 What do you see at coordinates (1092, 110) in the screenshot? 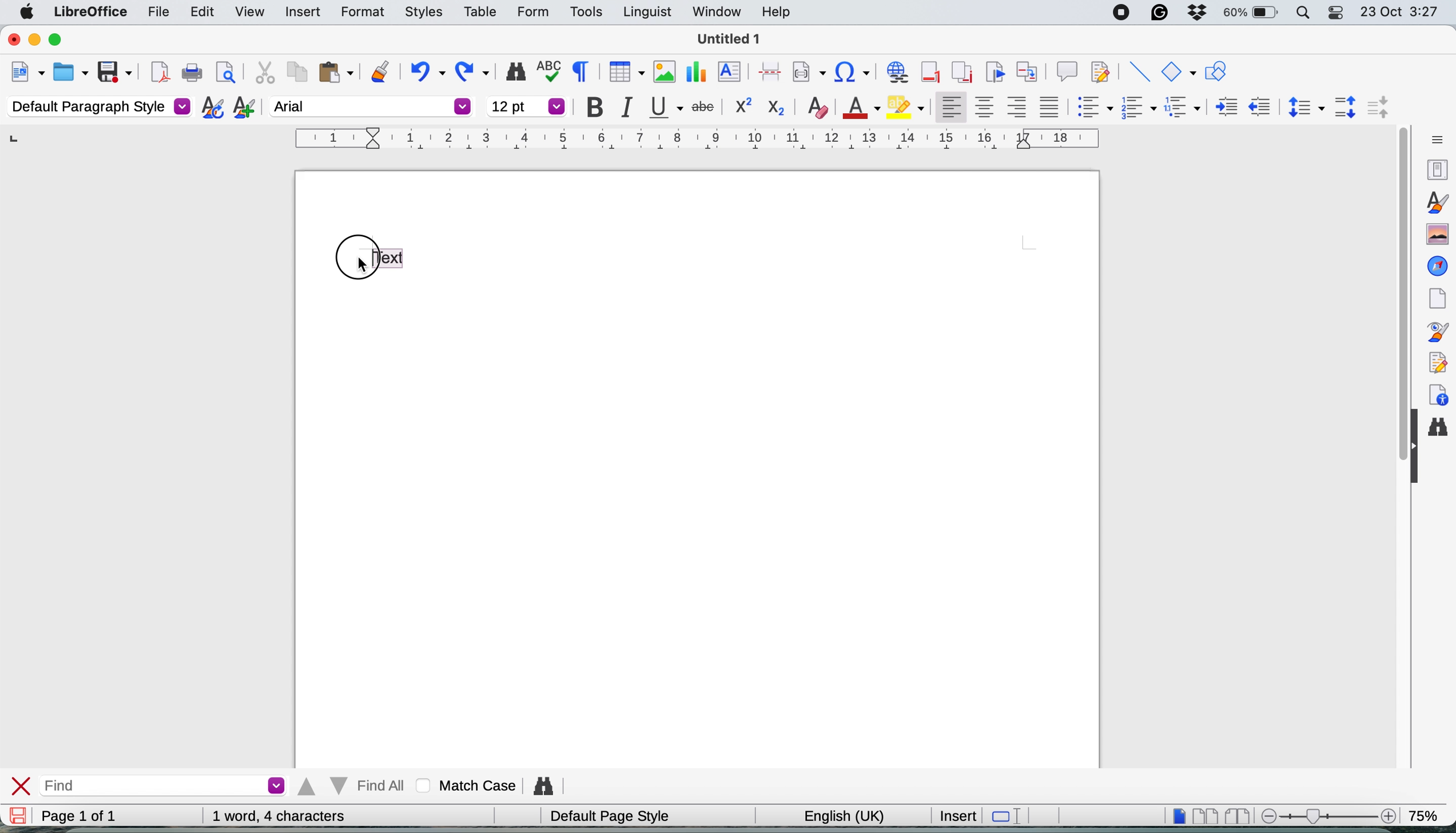
I see `toggle unordered list` at bounding box center [1092, 110].